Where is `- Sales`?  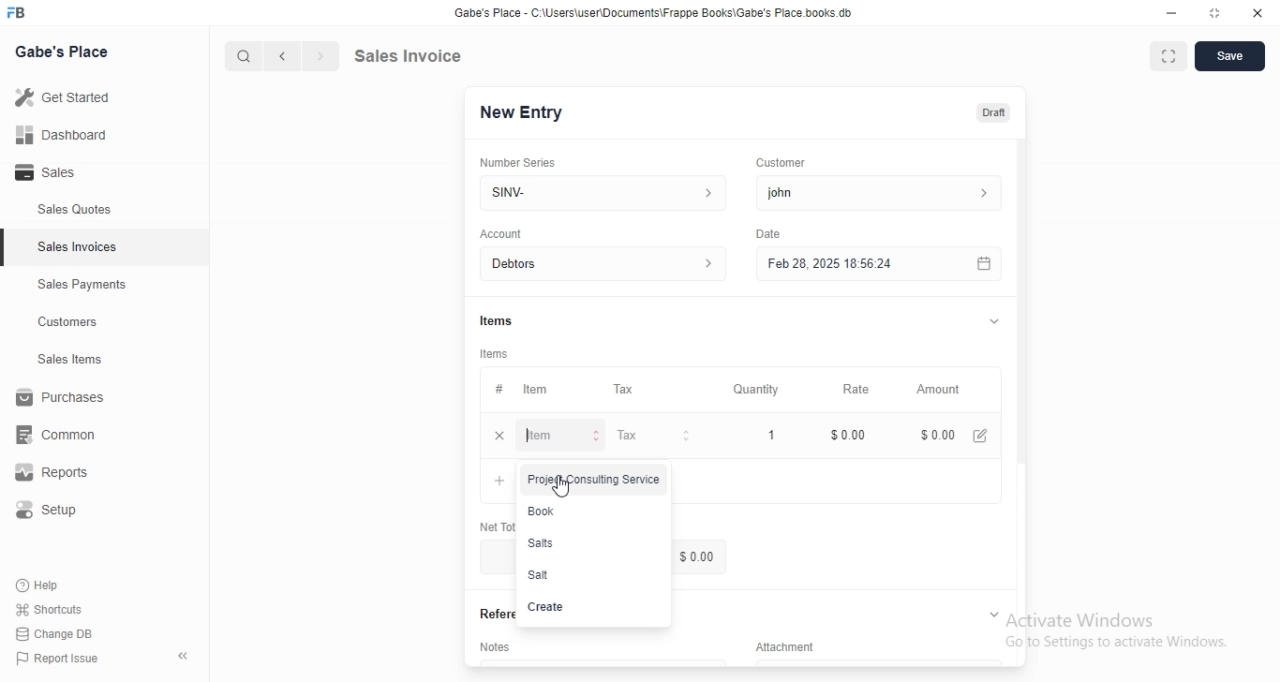 - Sales is located at coordinates (64, 175).